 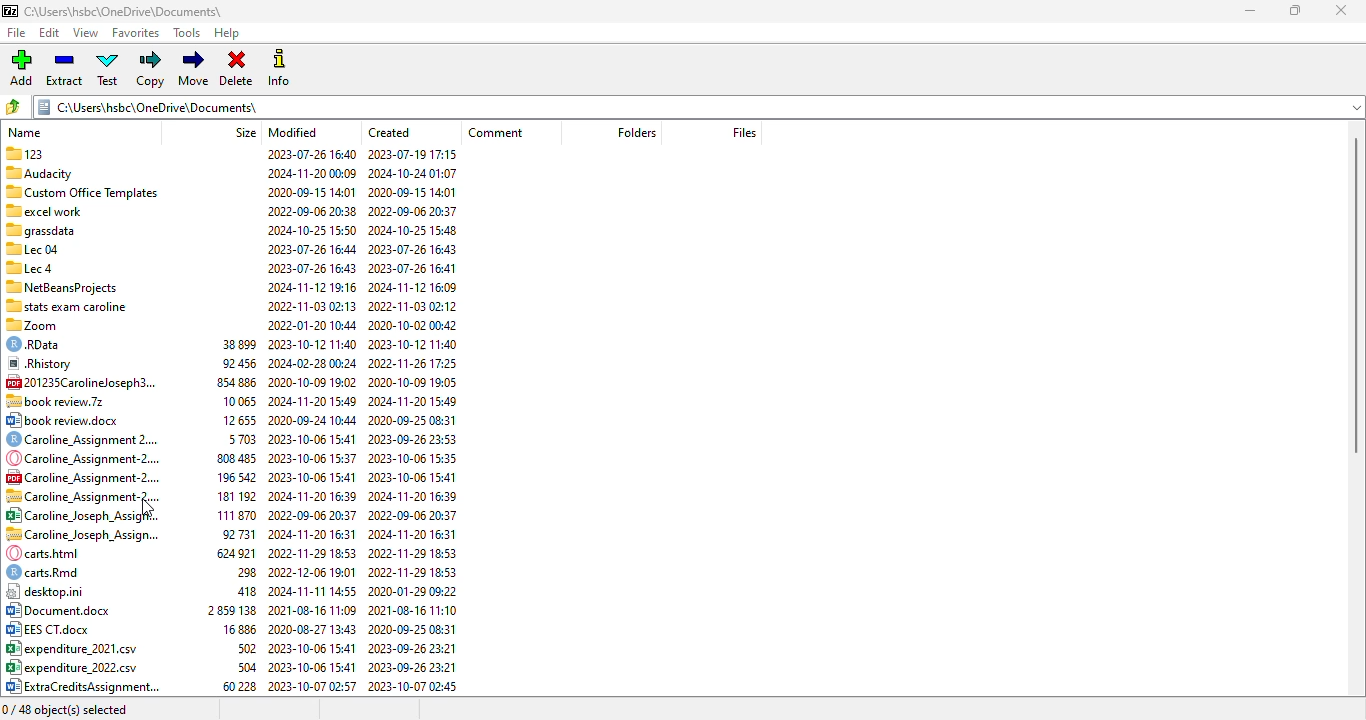 What do you see at coordinates (229, 439) in the screenshot?
I see `©) Caroline_Assignment 2.... 5703 2023-10-06 15:41 2023-09-26 23:53` at bounding box center [229, 439].